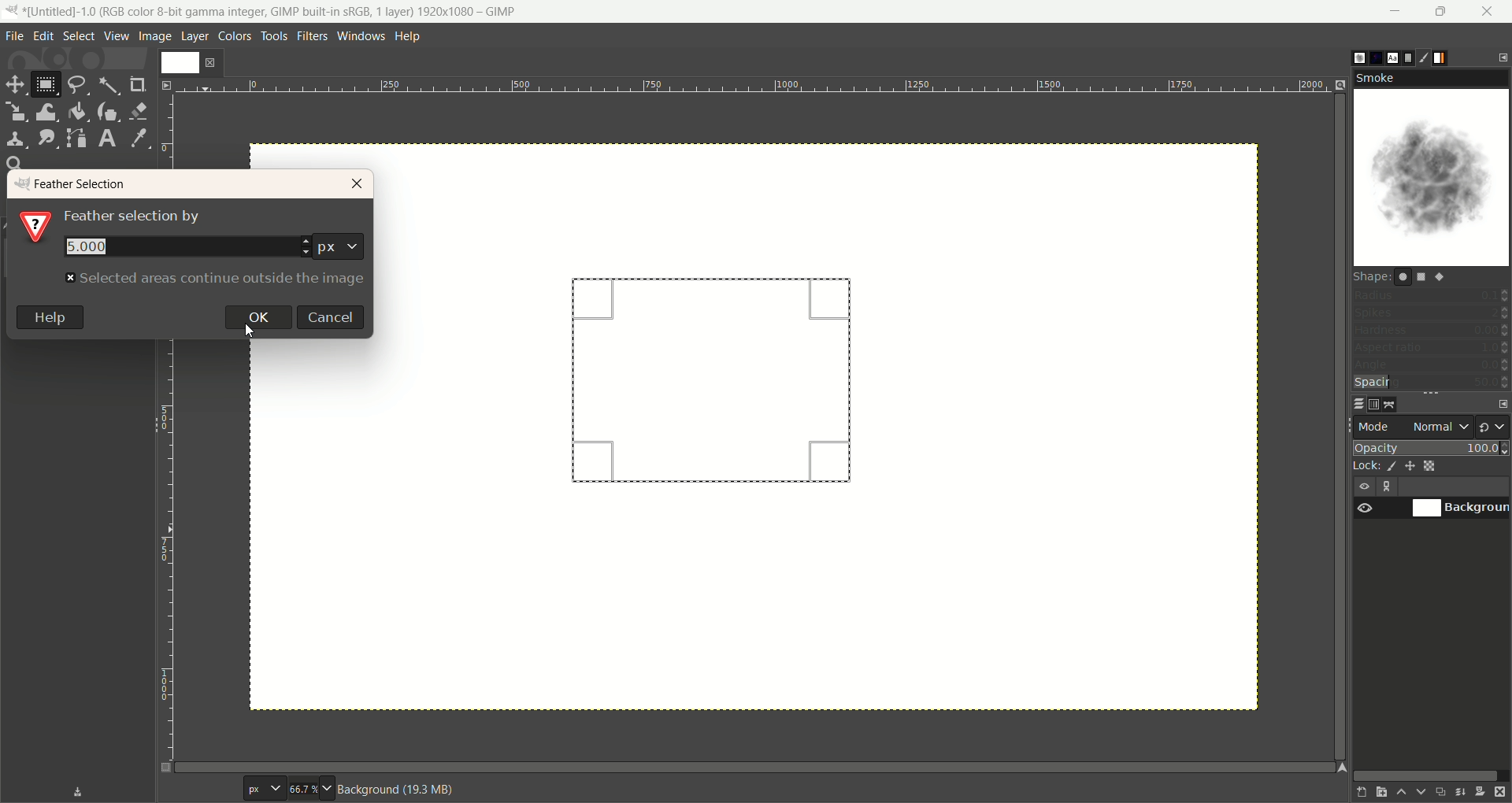 The width and height of the screenshot is (1512, 803). Describe the element at coordinates (1394, 12) in the screenshot. I see `minimize` at that location.